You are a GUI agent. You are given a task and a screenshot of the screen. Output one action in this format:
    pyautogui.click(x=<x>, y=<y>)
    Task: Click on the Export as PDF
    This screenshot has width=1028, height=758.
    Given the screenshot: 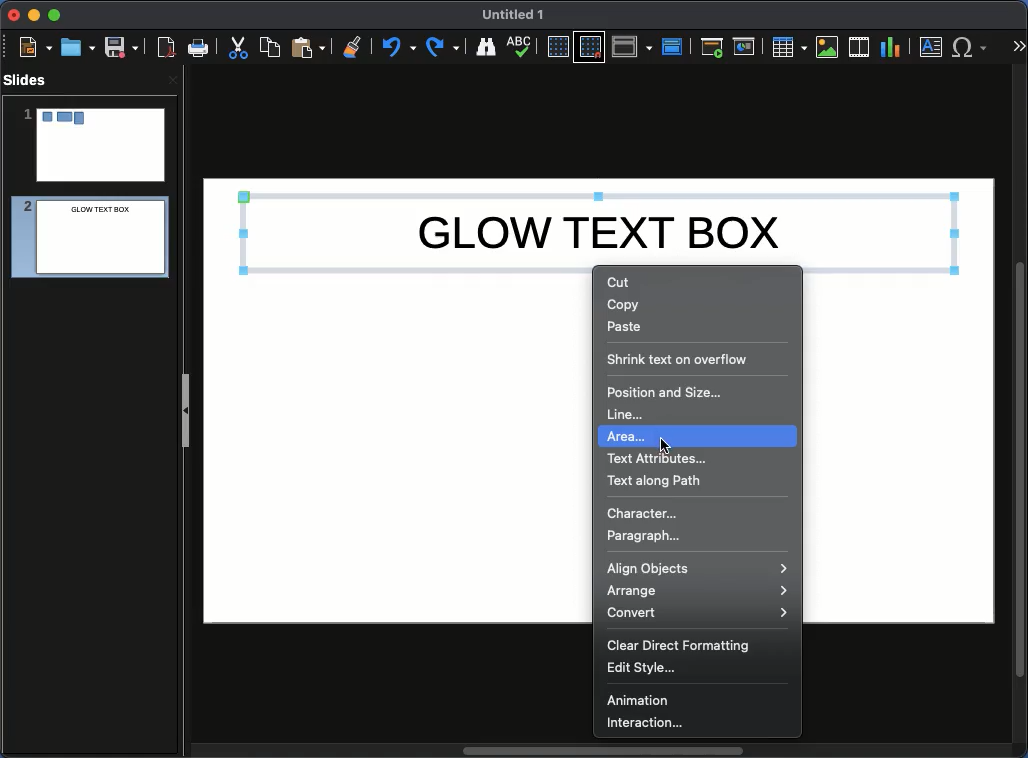 What is the action you would take?
    pyautogui.click(x=166, y=48)
    